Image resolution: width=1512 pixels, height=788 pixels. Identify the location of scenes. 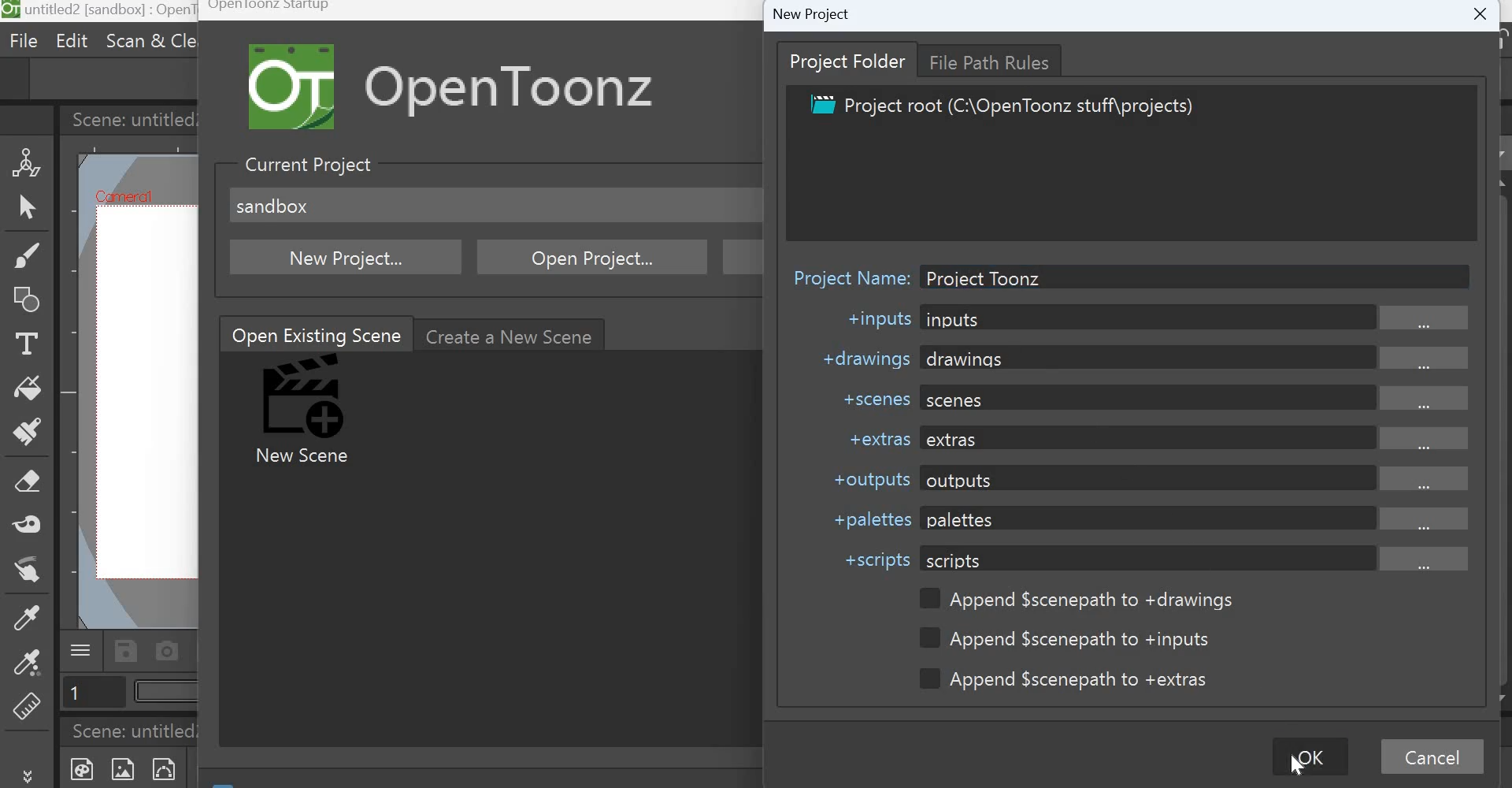
(1203, 396).